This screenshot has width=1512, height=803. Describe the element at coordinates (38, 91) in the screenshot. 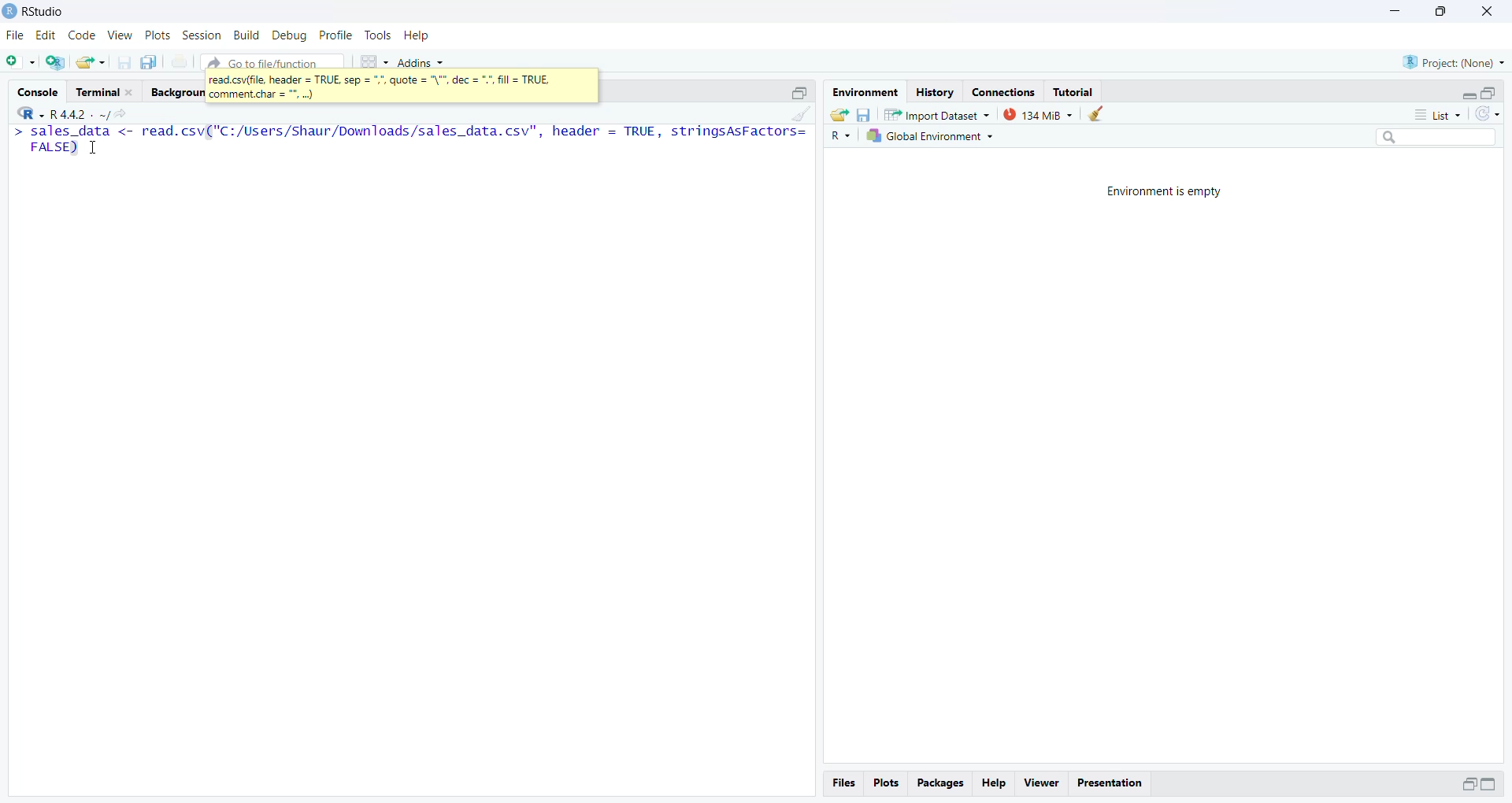

I see `Console` at that location.